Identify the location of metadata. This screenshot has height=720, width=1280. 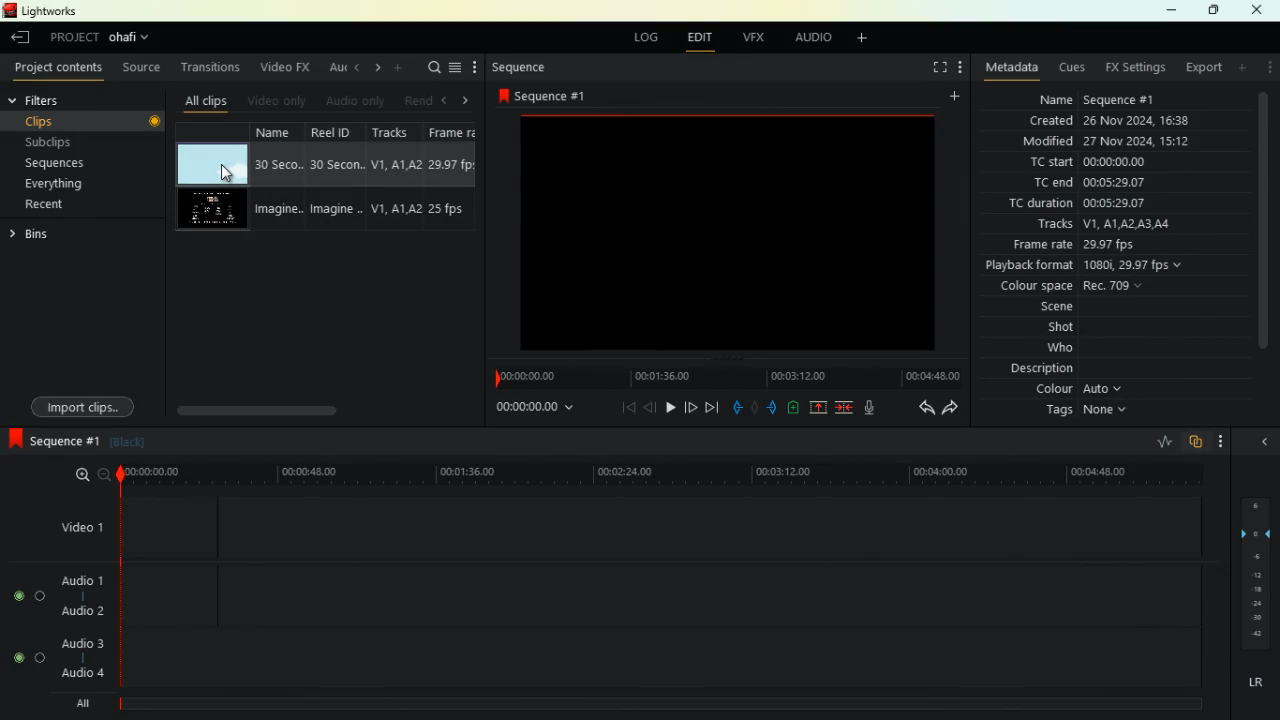
(1012, 67).